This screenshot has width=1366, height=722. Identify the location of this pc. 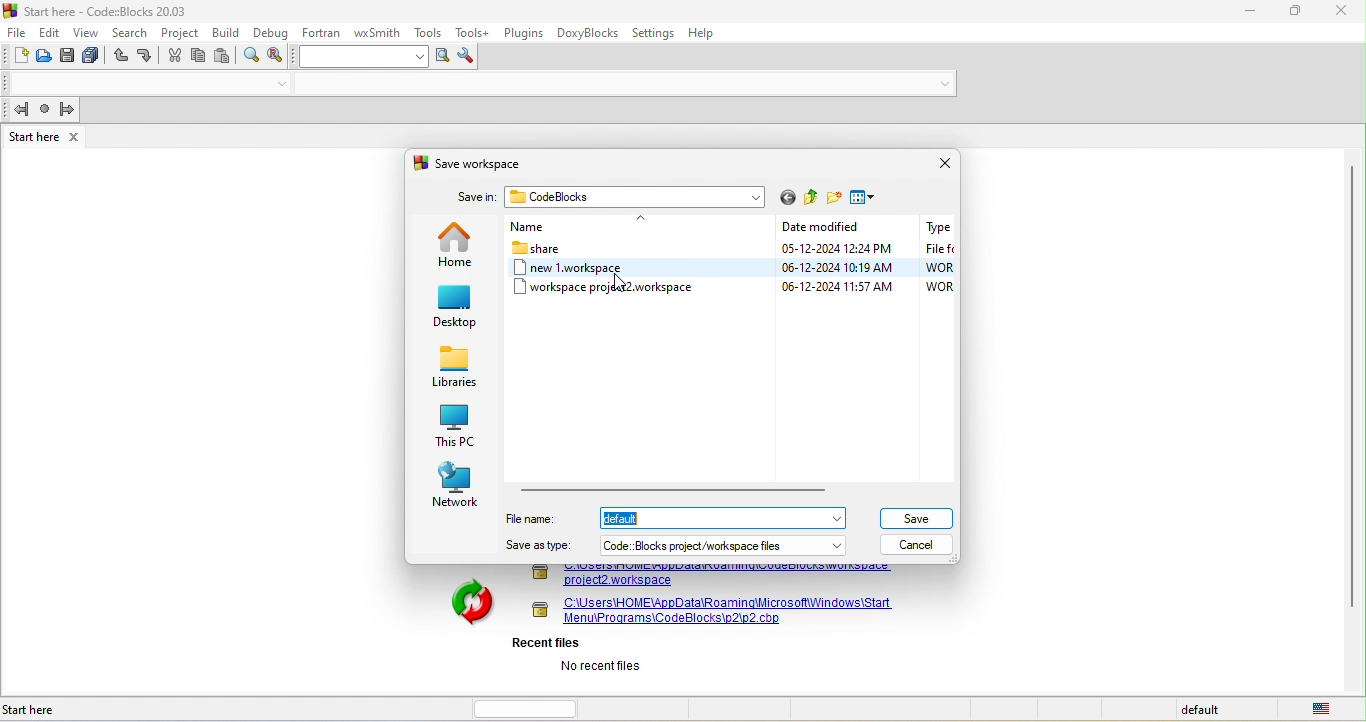
(453, 425).